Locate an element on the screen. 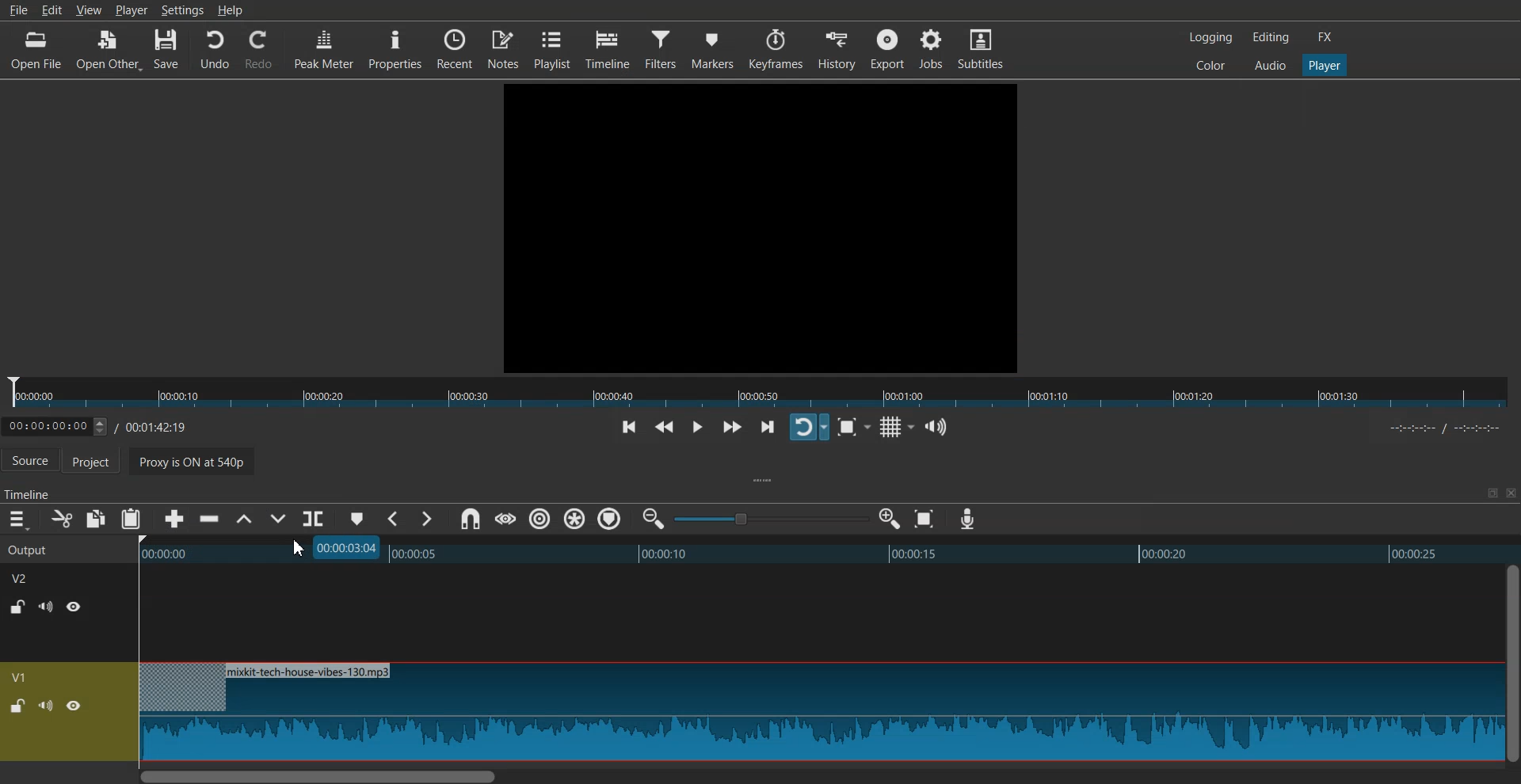 The height and width of the screenshot is (784, 1521). Recent is located at coordinates (455, 48).